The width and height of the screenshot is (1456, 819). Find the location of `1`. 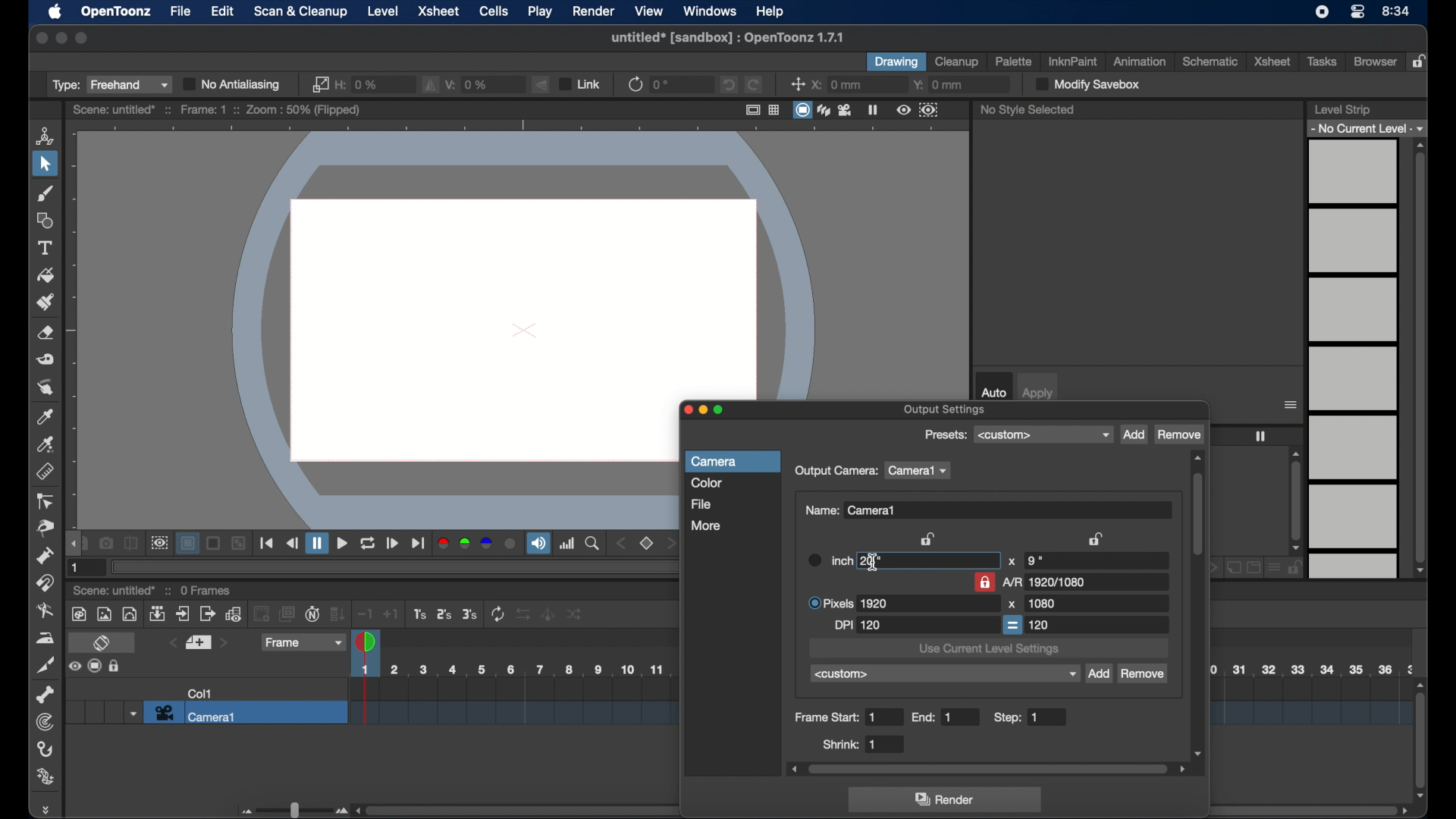

1 is located at coordinates (77, 568).